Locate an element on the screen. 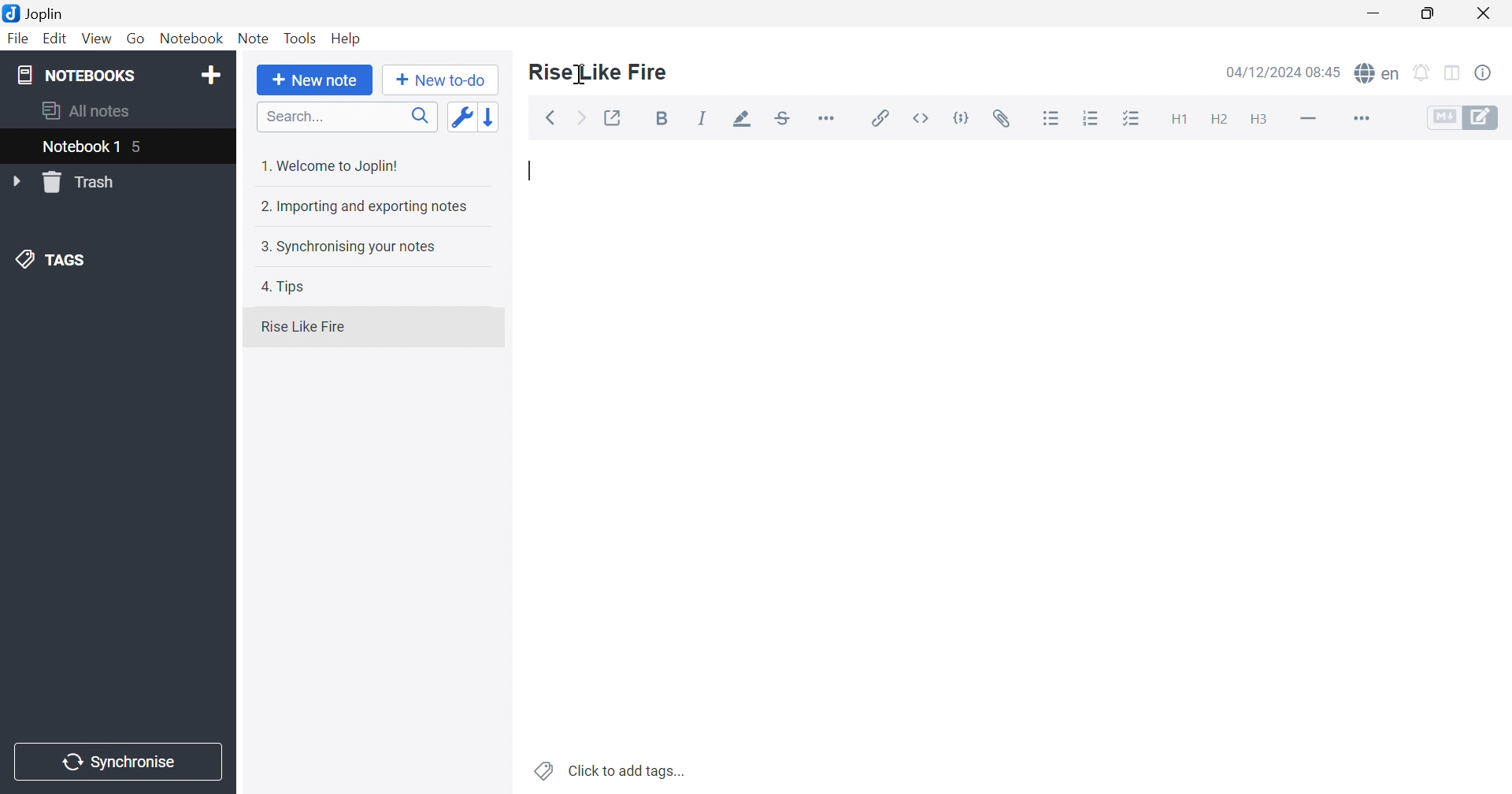 The width and height of the screenshot is (1512, 794). Drop Down is located at coordinates (17, 182).